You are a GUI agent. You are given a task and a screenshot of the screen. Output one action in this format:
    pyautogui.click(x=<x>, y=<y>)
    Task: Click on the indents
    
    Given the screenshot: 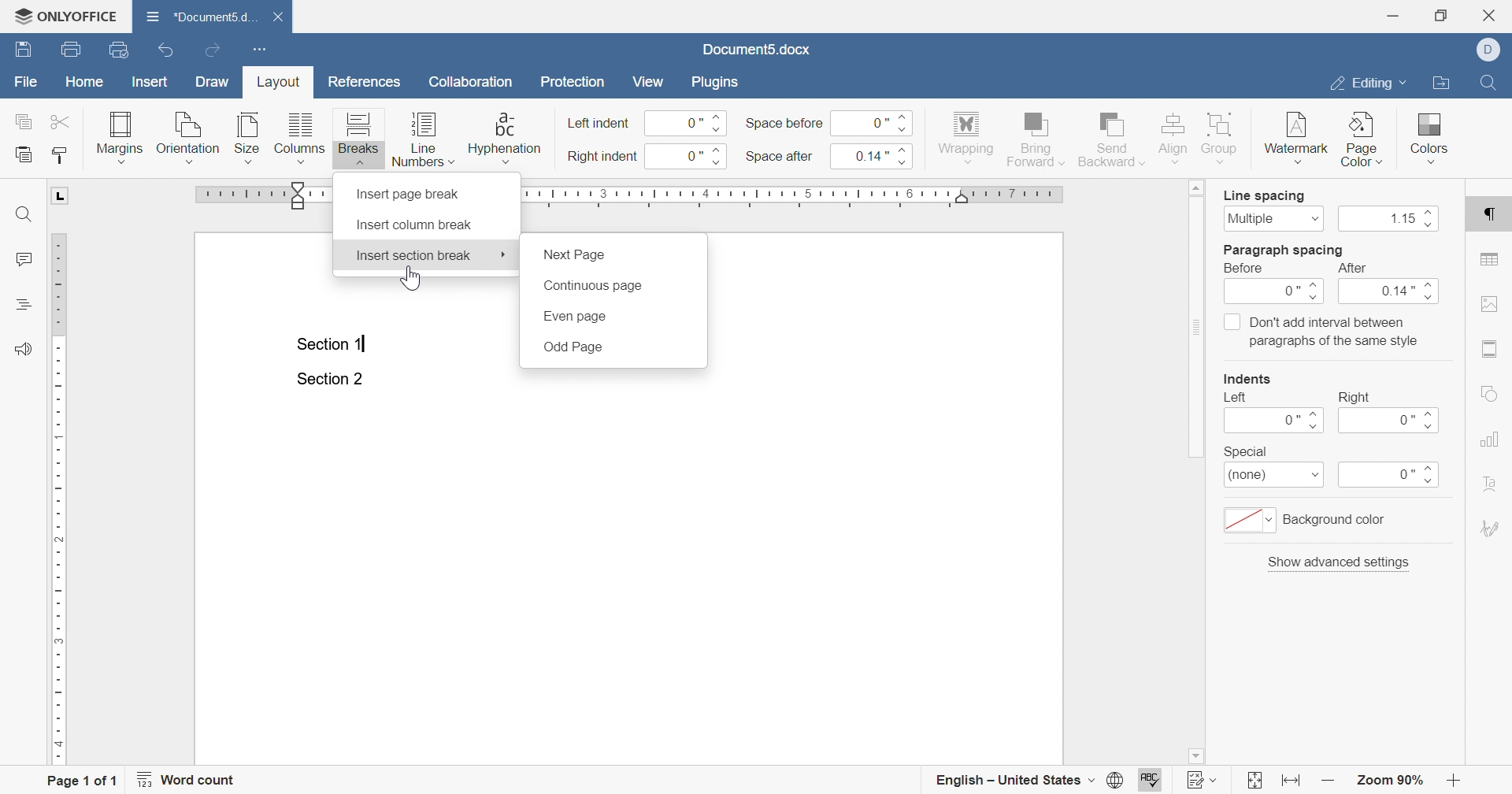 What is the action you would take?
    pyautogui.click(x=1250, y=379)
    